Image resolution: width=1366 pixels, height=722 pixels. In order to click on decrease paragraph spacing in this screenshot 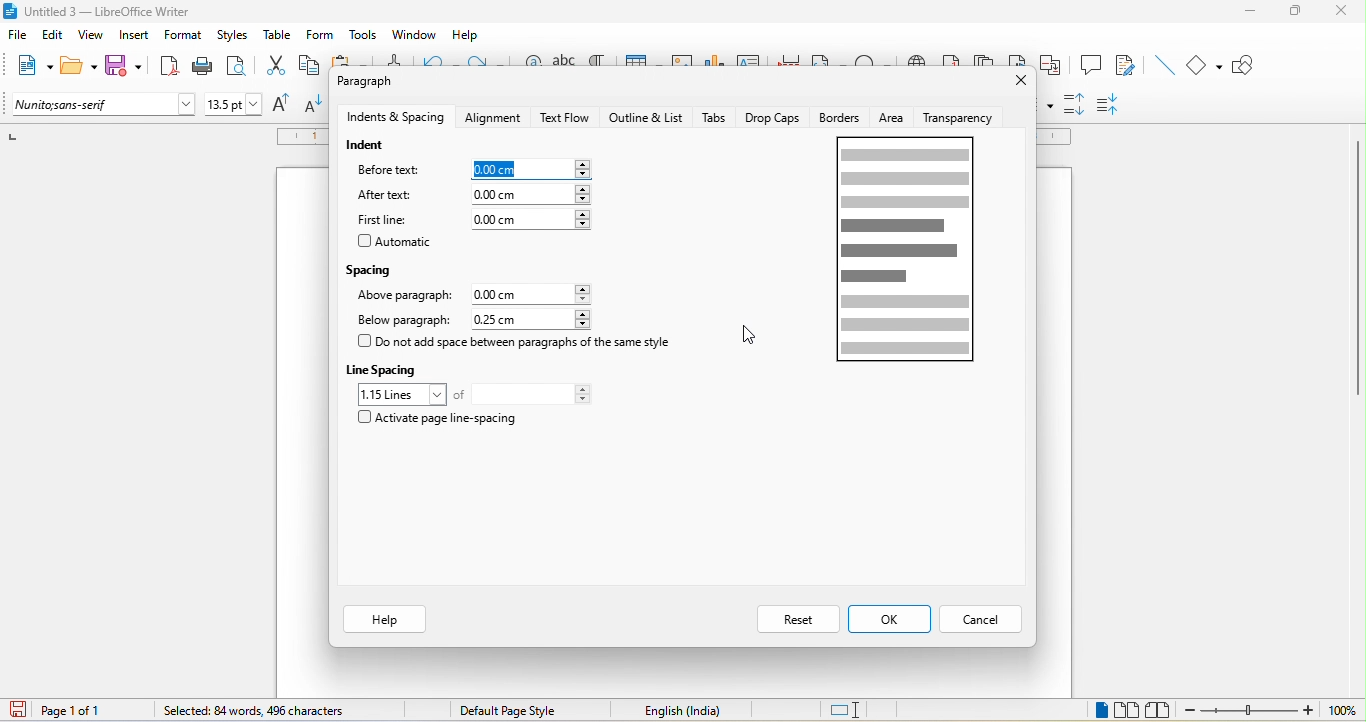, I will do `click(1112, 105)`.